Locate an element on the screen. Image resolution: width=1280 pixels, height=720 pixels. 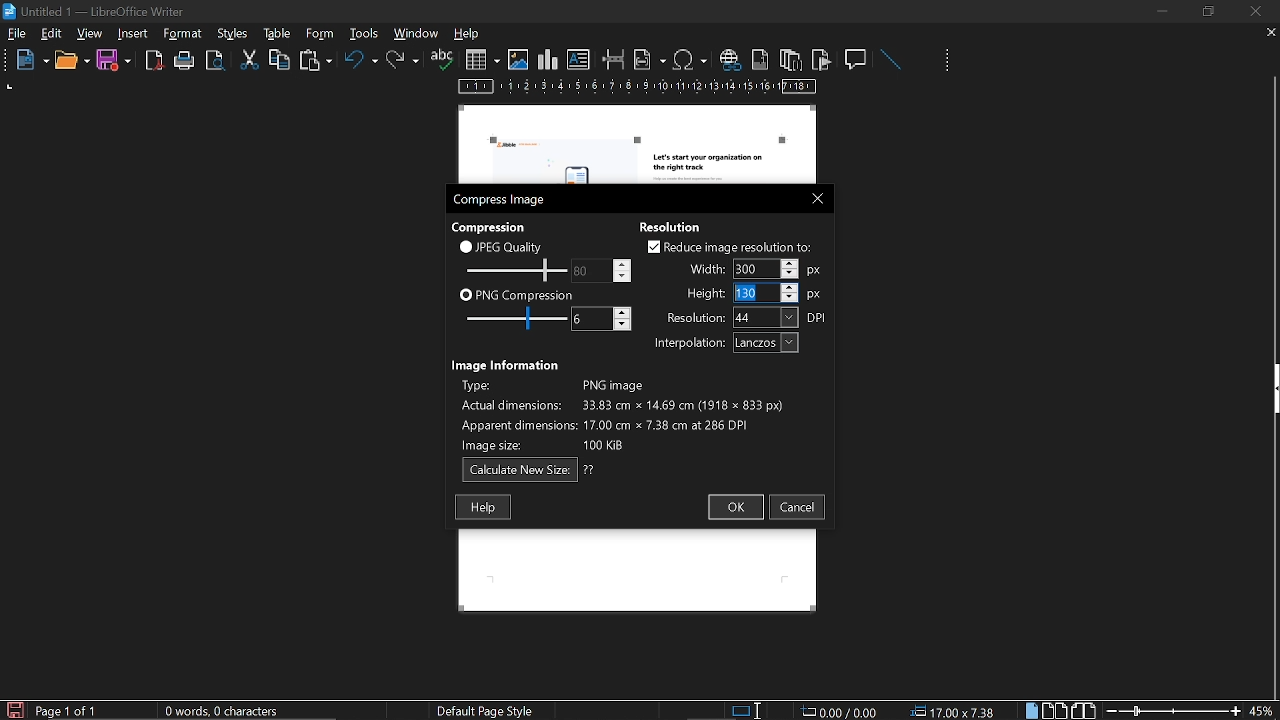
Compression is located at coordinates (491, 226).